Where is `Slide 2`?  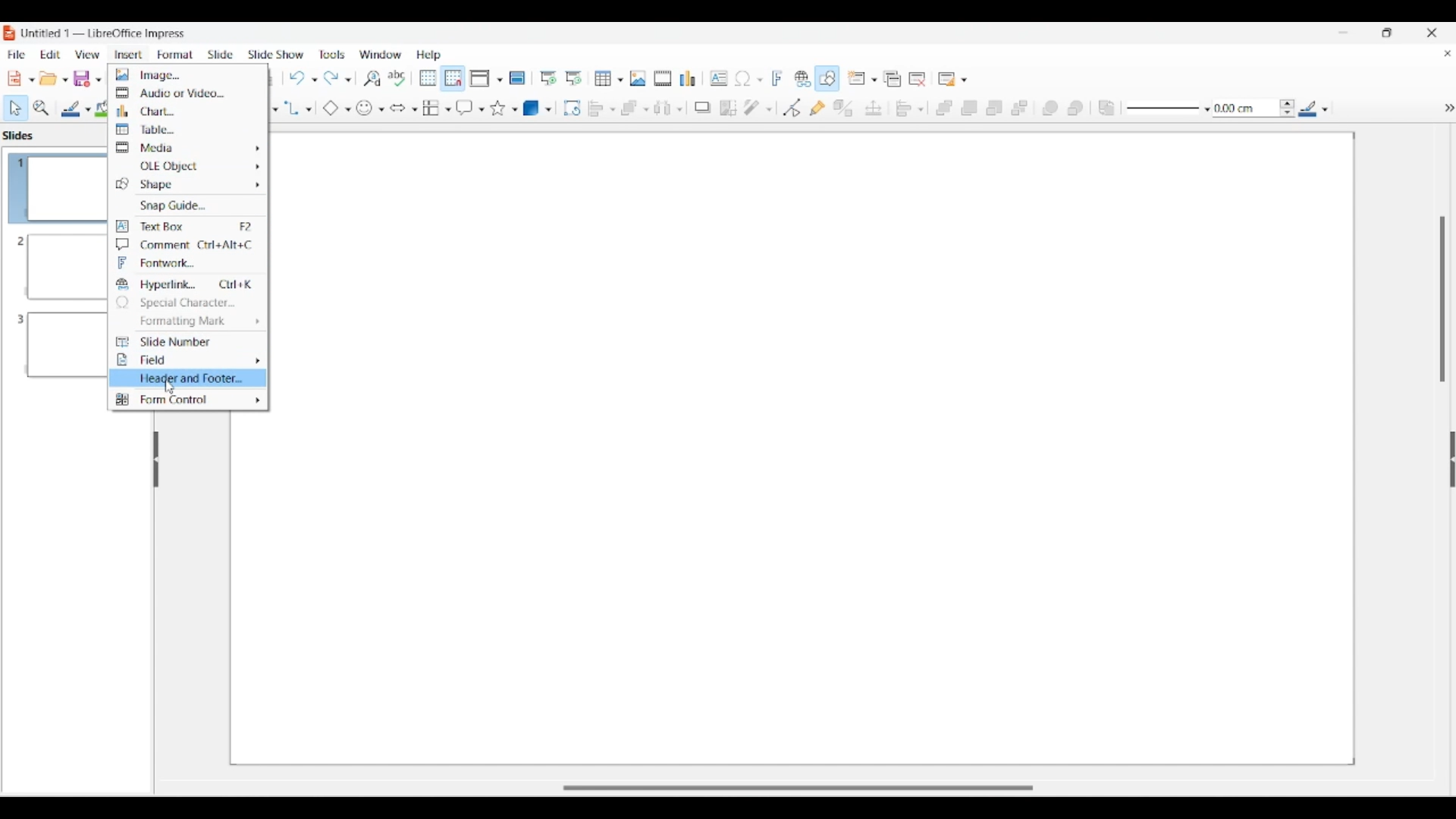
Slide 2 is located at coordinates (53, 267).